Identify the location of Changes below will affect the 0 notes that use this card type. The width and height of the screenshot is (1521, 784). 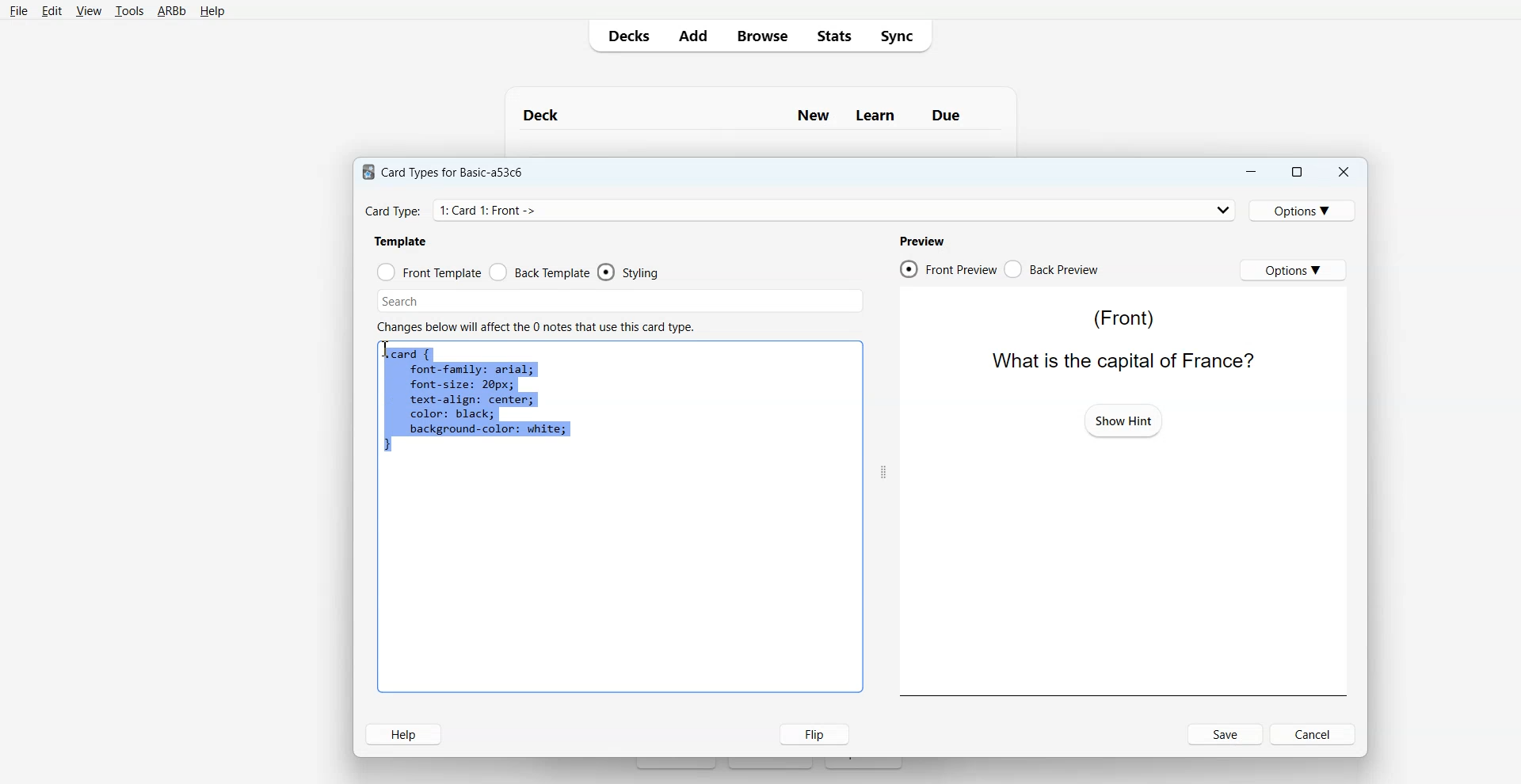
(542, 327).